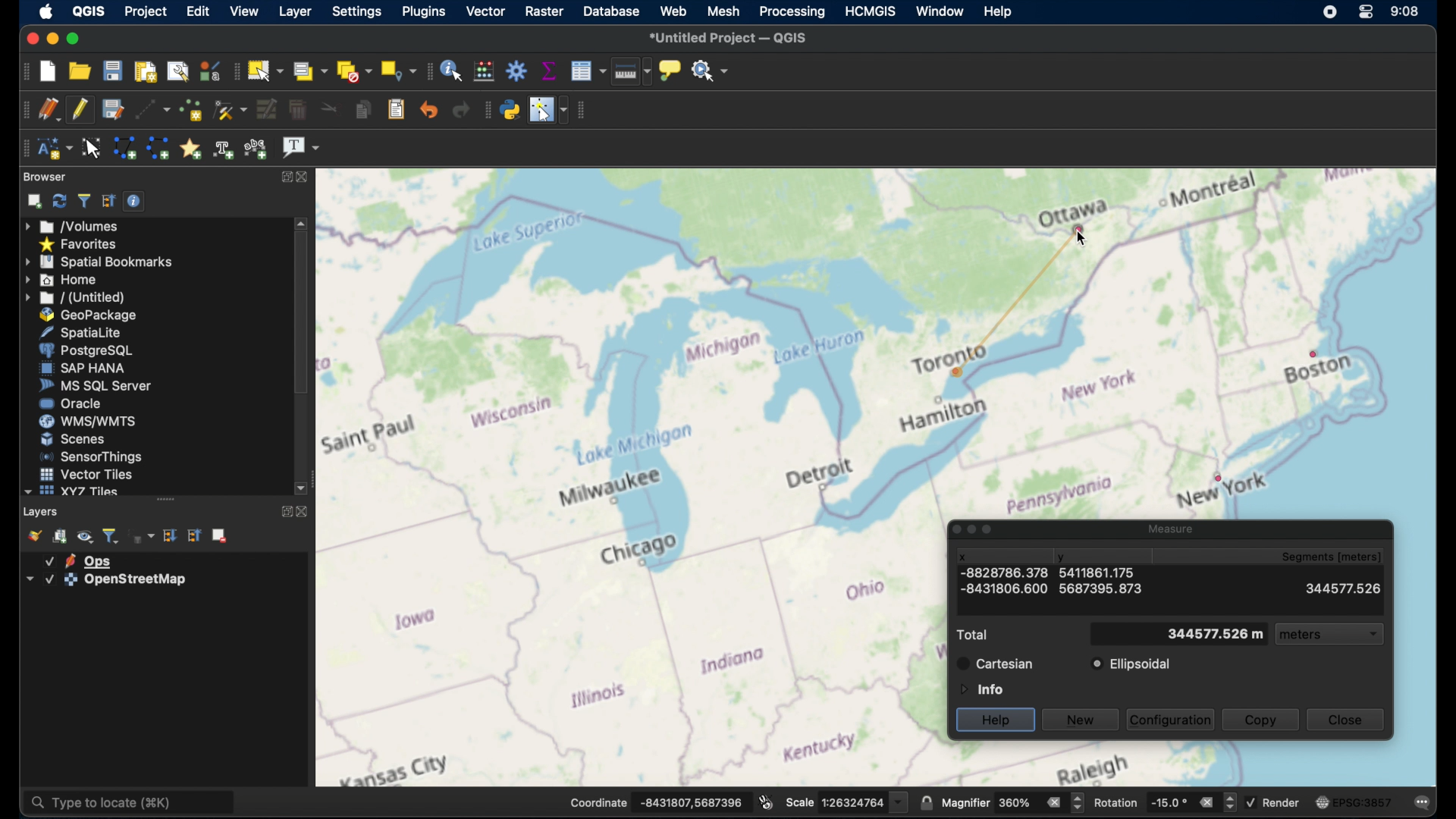 Image resolution: width=1456 pixels, height=819 pixels. What do you see at coordinates (258, 148) in the screenshot?
I see `text annotation along line` at bounding box center [258, 148].